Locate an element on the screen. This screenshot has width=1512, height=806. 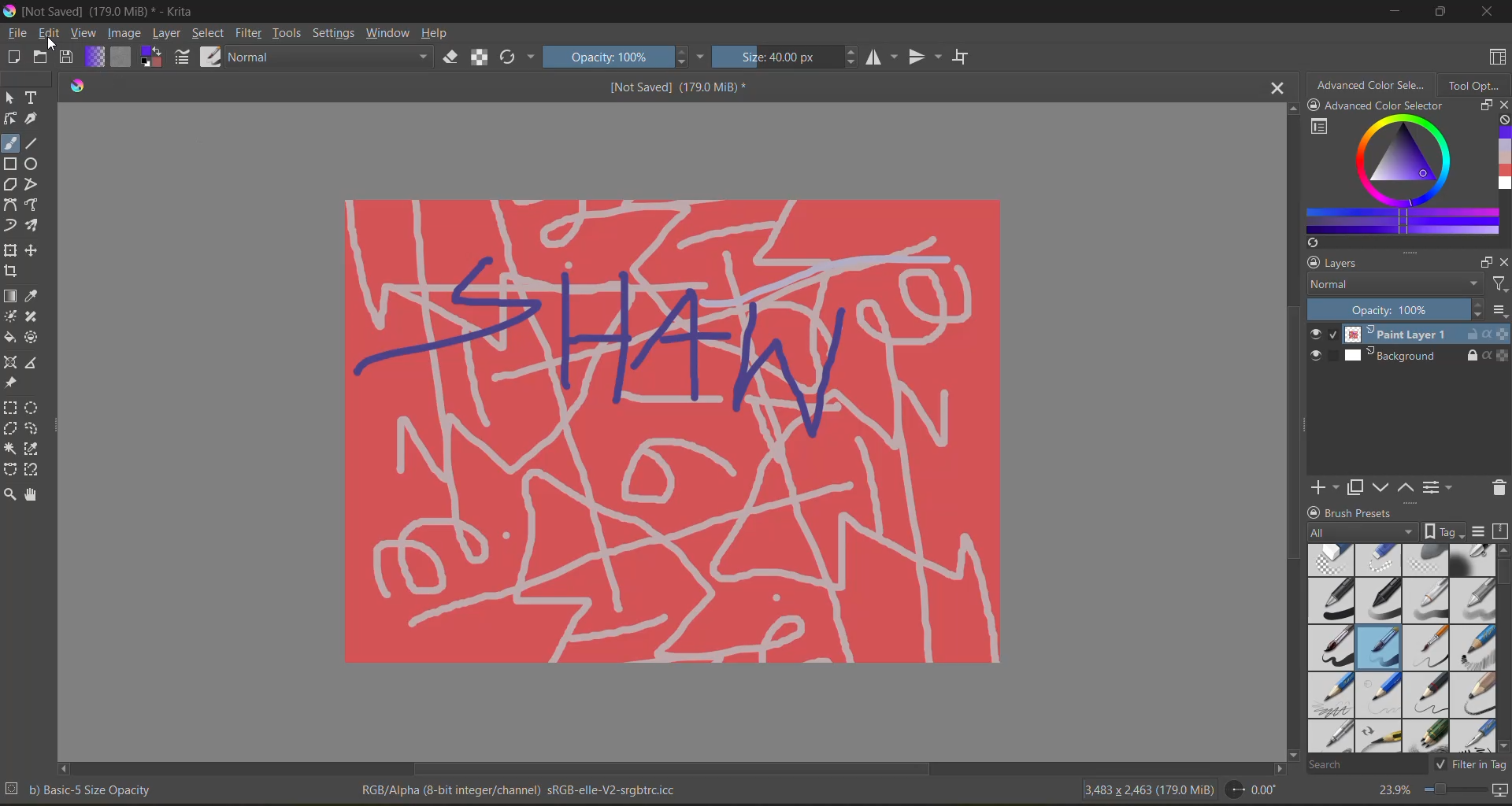
freehand path tool is located at coordinates (35, 205).